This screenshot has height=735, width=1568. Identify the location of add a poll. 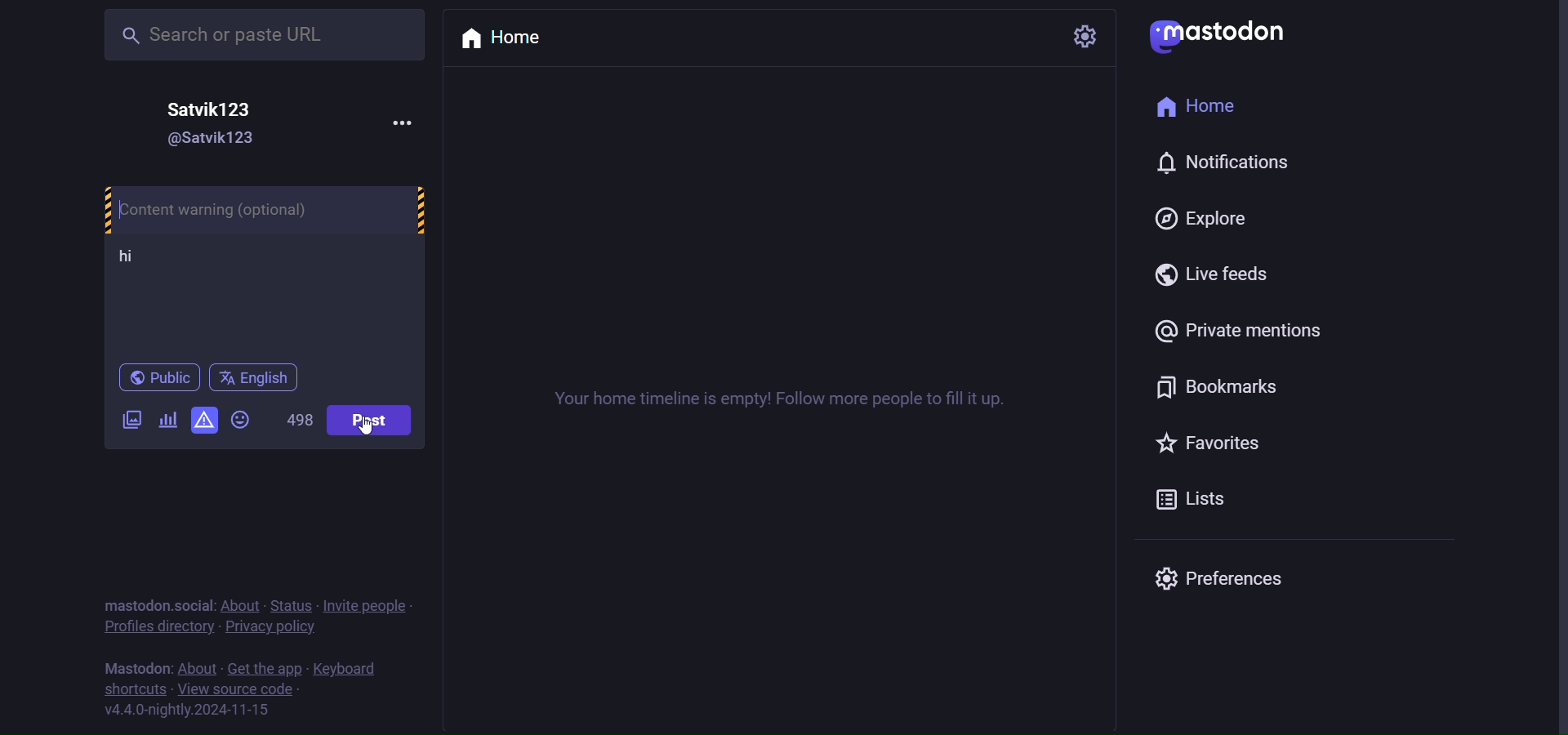
(168, 418).